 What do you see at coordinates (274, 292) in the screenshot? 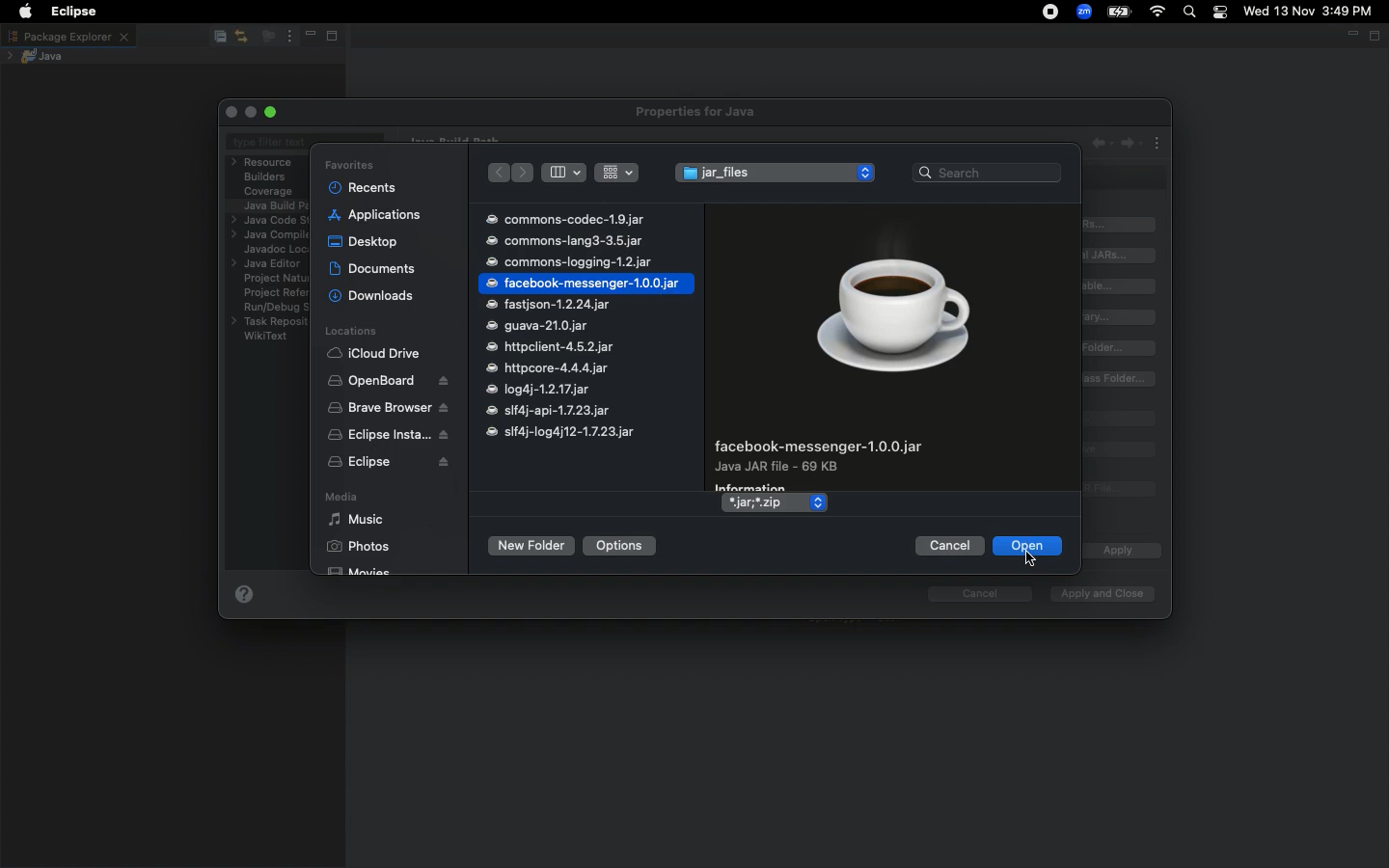
I see `Project references ` at bounding box center [274, 292].